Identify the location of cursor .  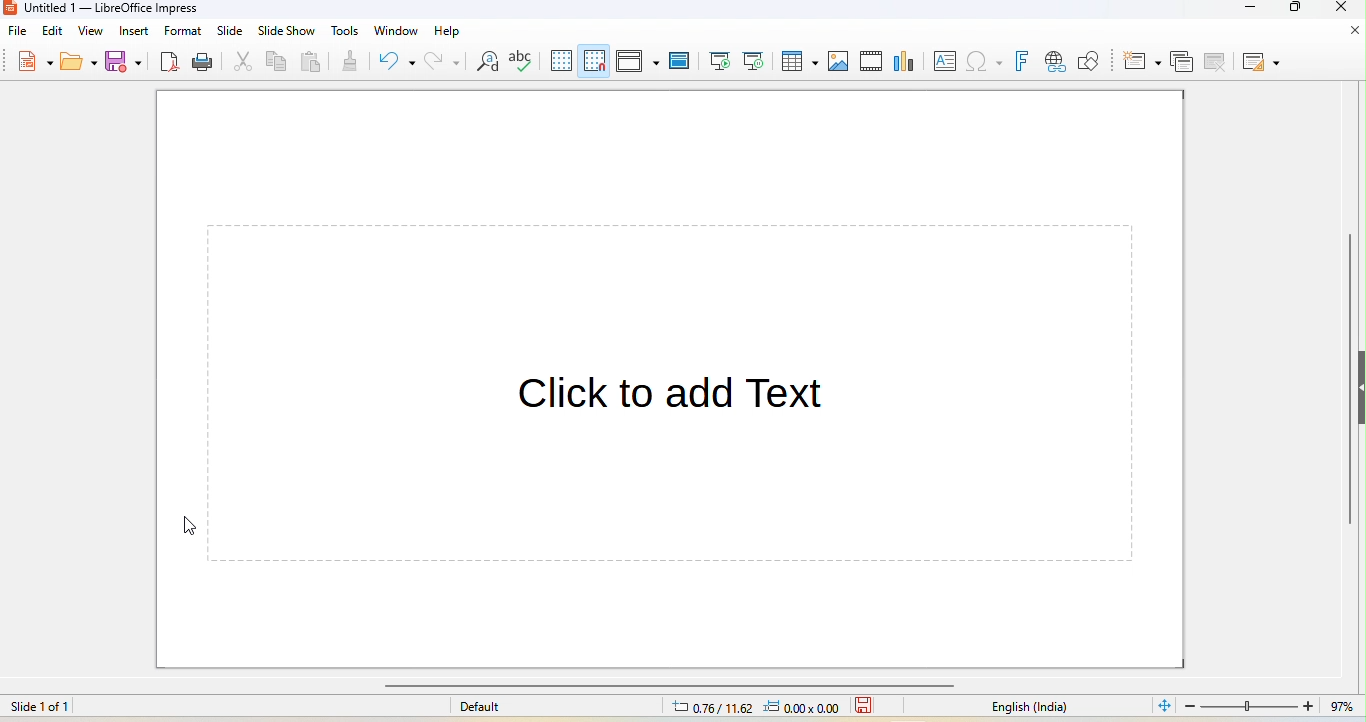
(187, 525).